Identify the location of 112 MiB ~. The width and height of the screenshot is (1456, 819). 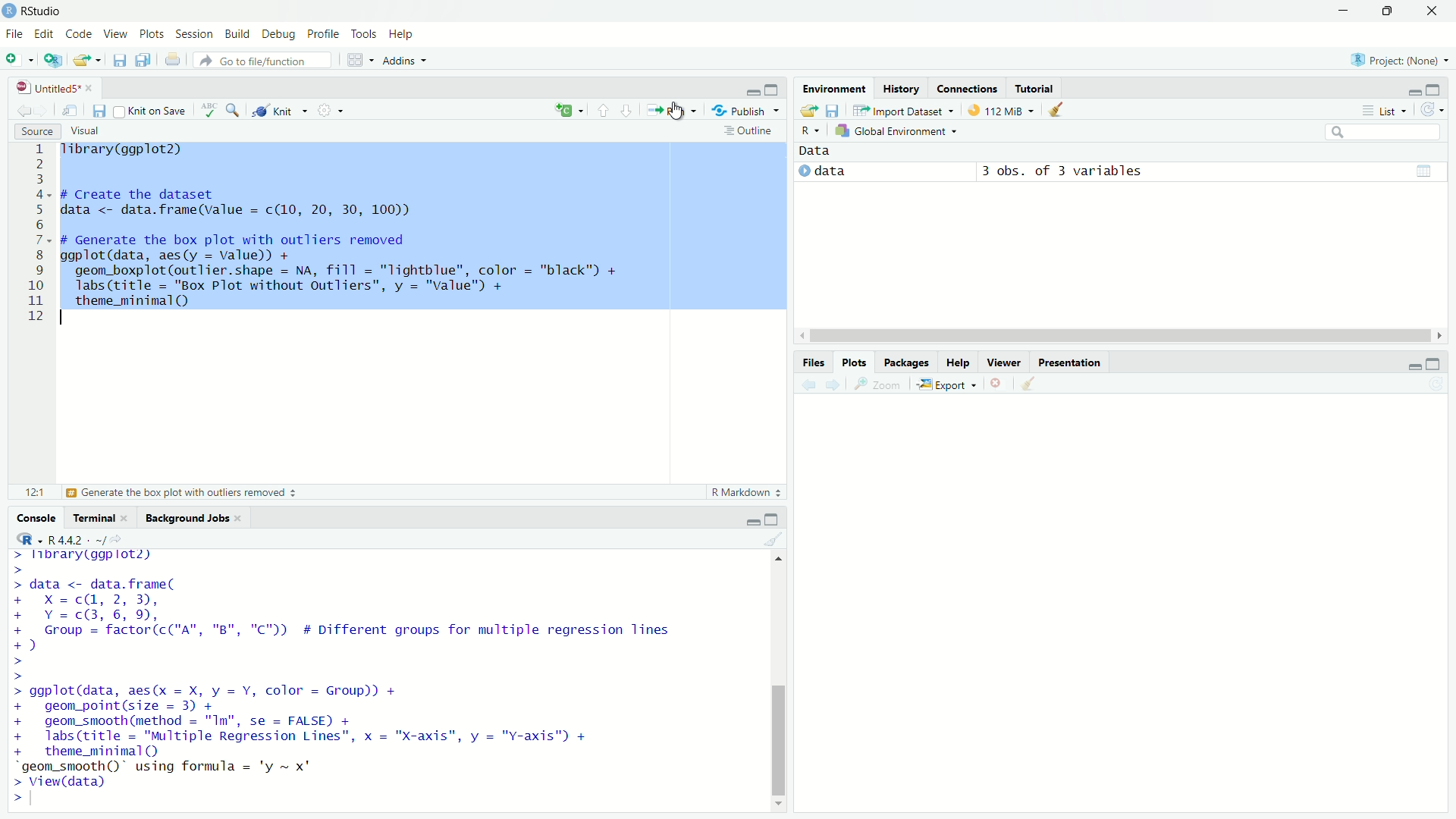
(1012, 111).